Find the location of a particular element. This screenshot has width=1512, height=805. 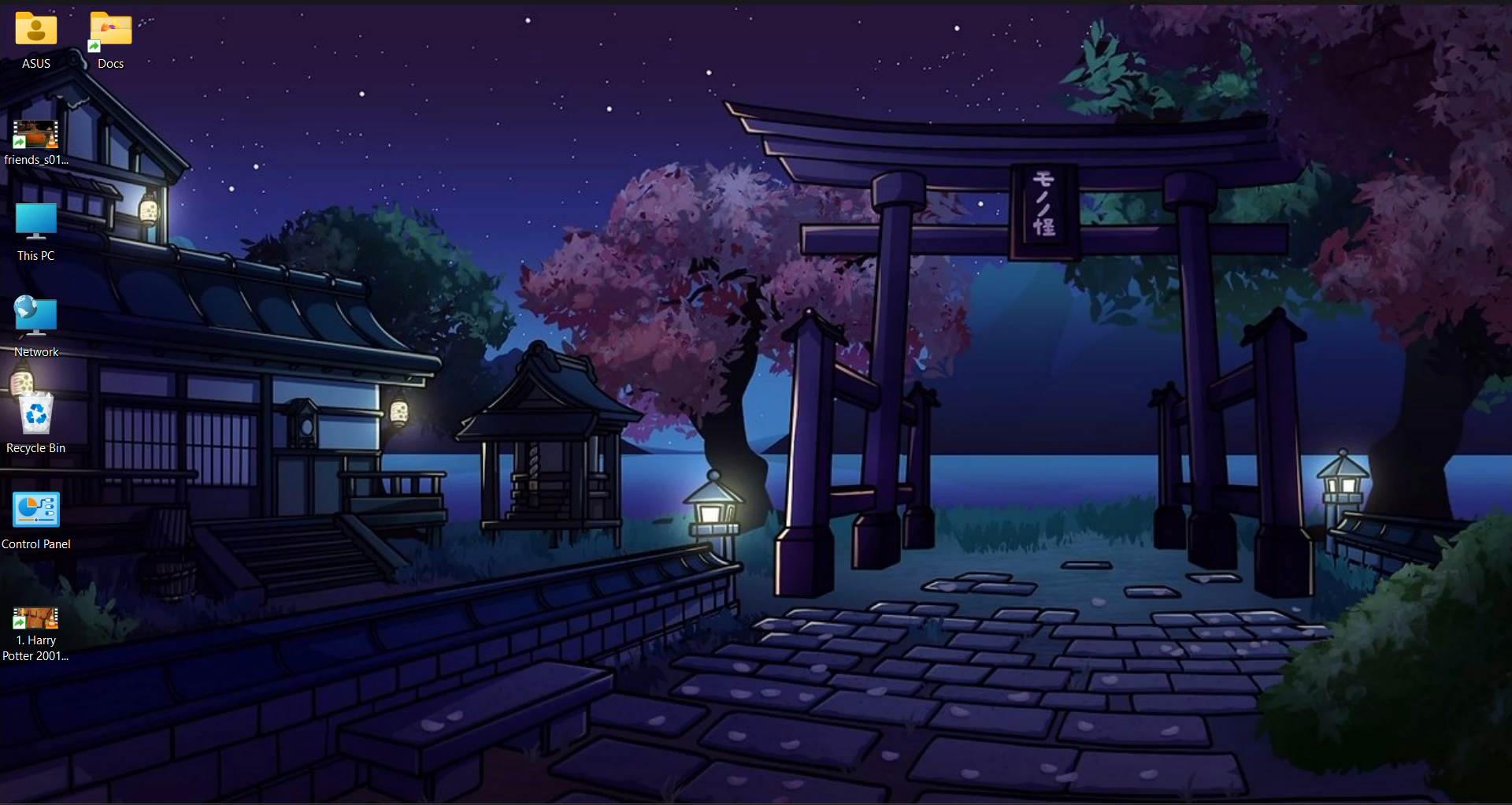

[LB
friends_s01 is located at coordinates (44, 142).